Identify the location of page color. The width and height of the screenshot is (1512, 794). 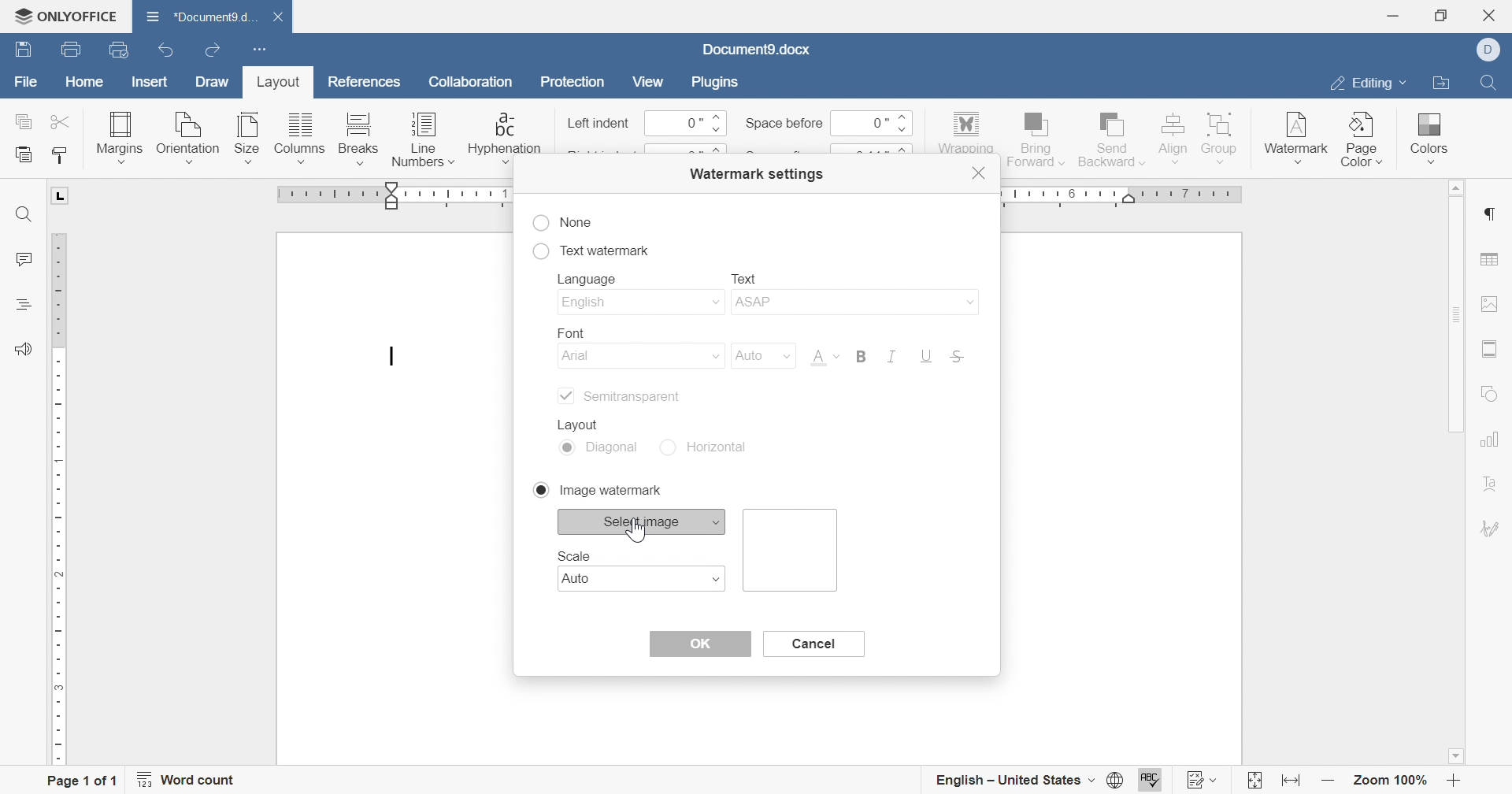
(1363, 139).